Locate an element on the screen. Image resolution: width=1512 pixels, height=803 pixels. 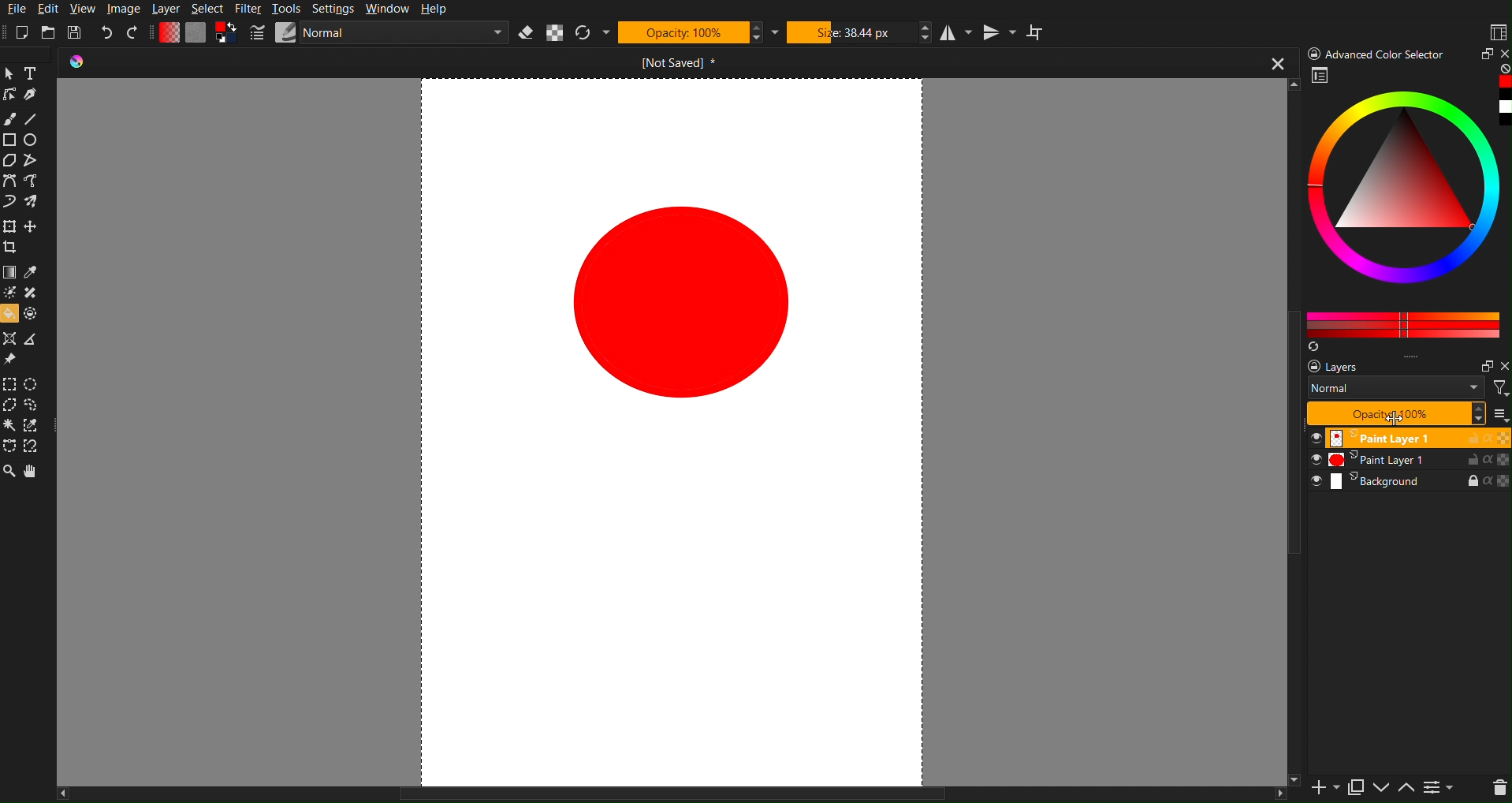
Horizontal Scroll Bar is located at coordinates (662, 796).